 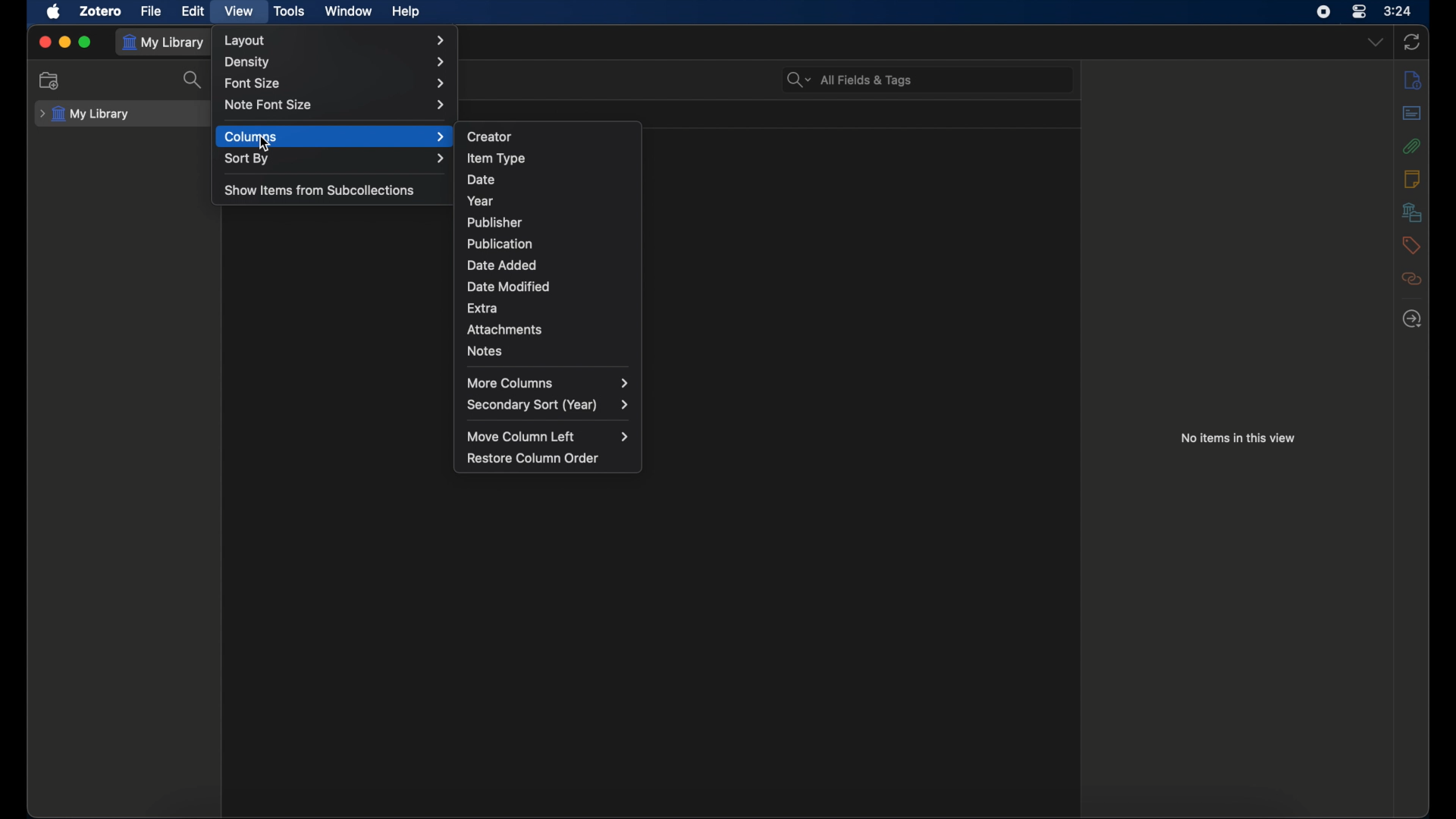 What do you see at coordinates (347, 10) in the screenshot?
I see `window` at bounding box center [347, 10].